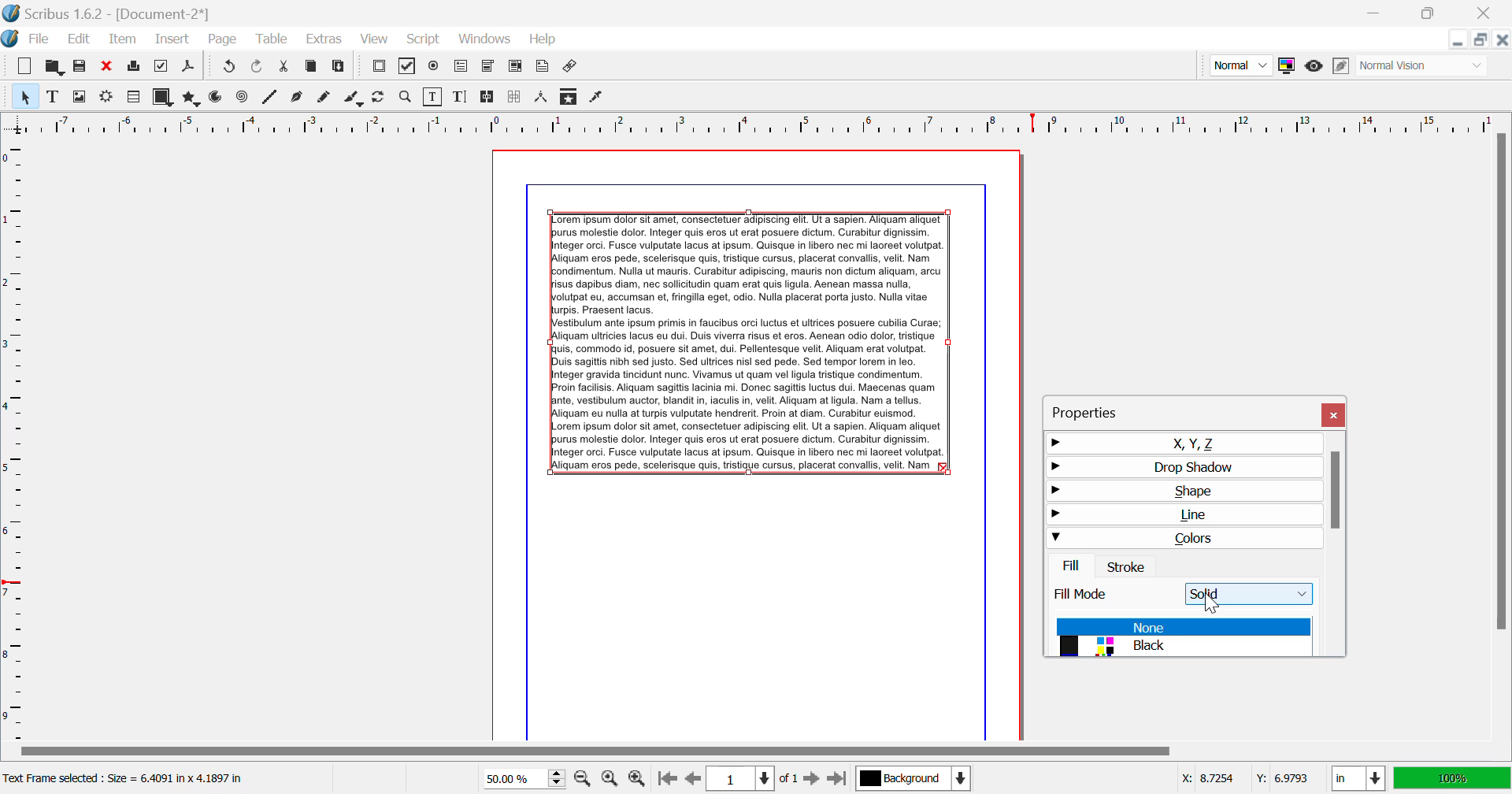  What do you see at coordinates (76, 39) in the screenshot?
I see `Edit` at bounding box center [76, 39].